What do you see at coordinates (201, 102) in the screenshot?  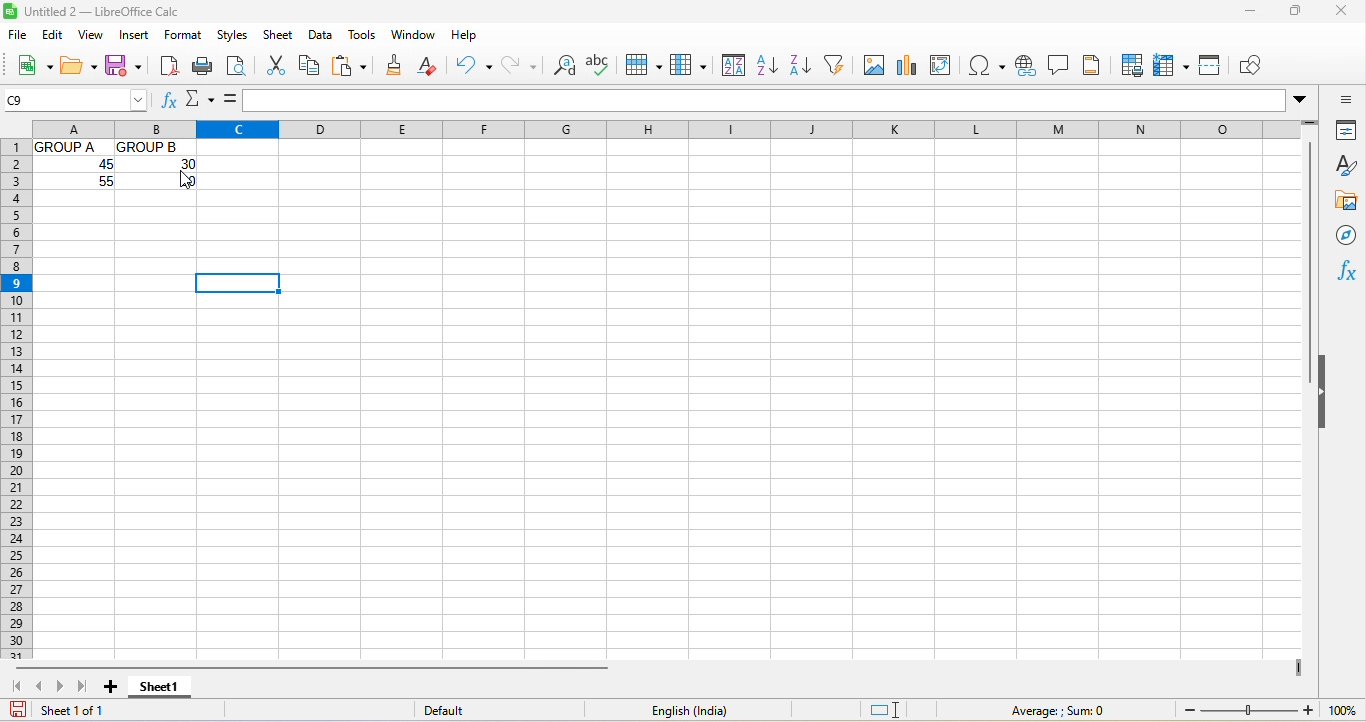 I see `select function` at bounding box center [201, 102].